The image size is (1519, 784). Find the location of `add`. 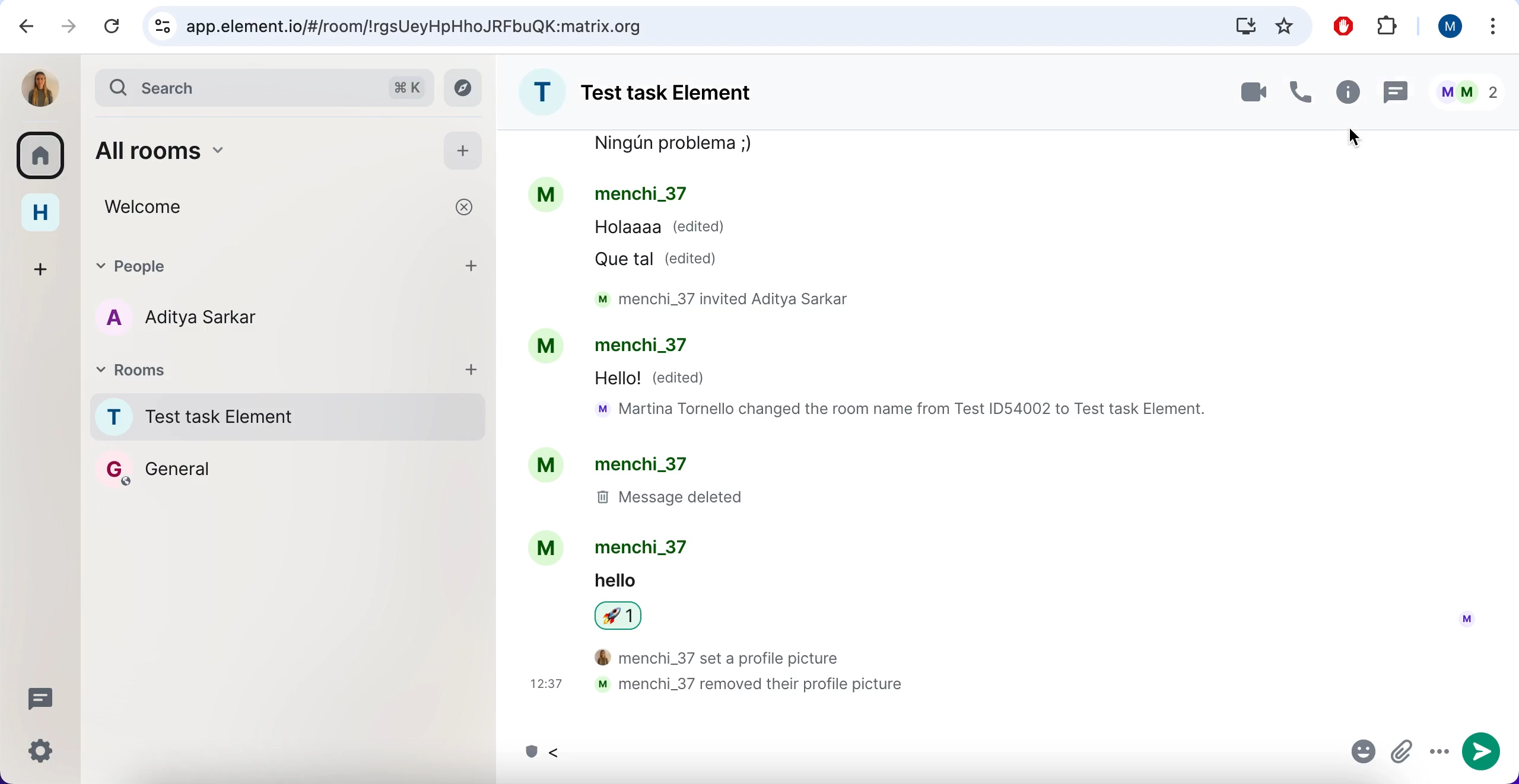

add is located at coordinates (463, 154).